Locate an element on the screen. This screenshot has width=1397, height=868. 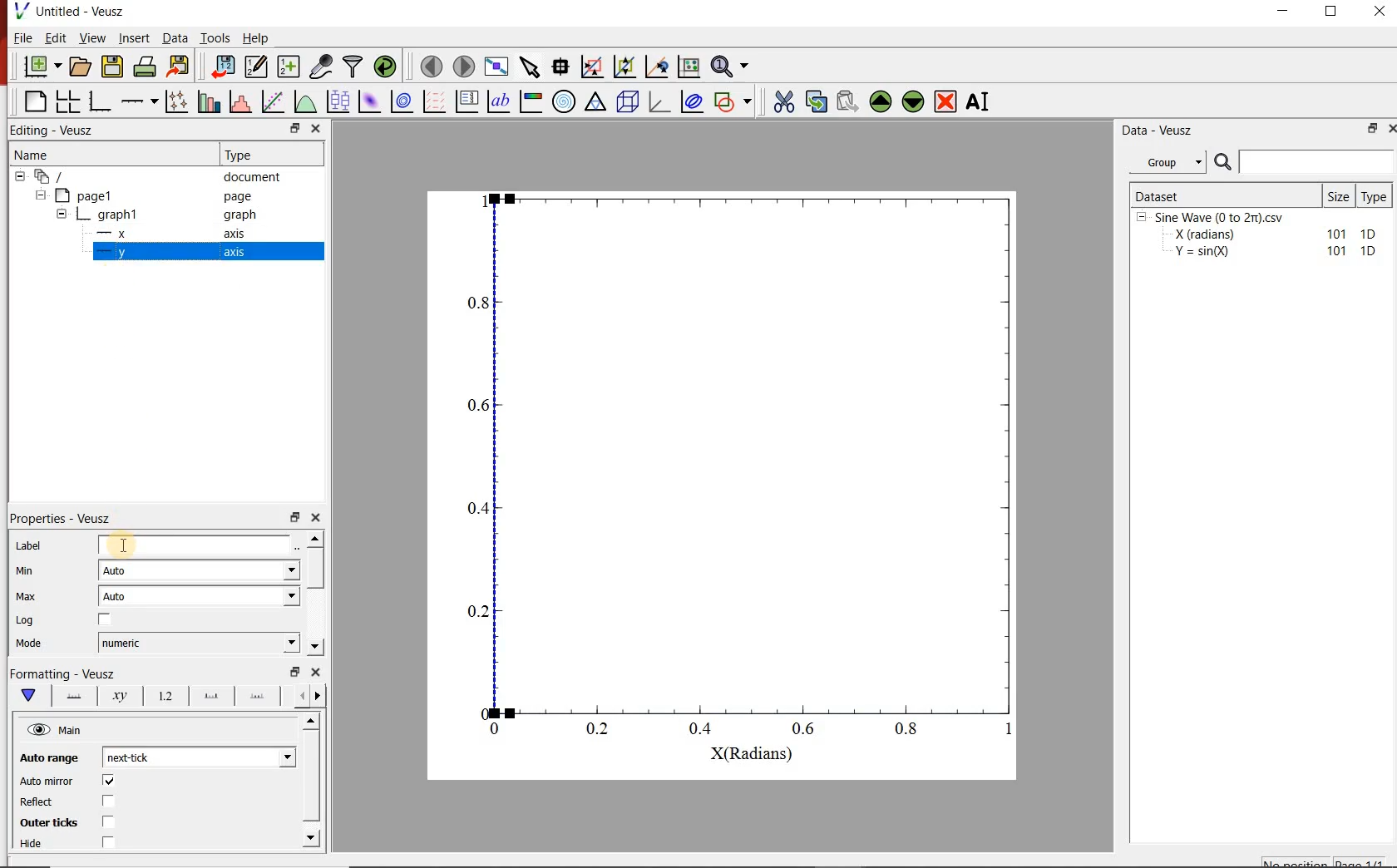
remove is located at coordinates (945, 101).